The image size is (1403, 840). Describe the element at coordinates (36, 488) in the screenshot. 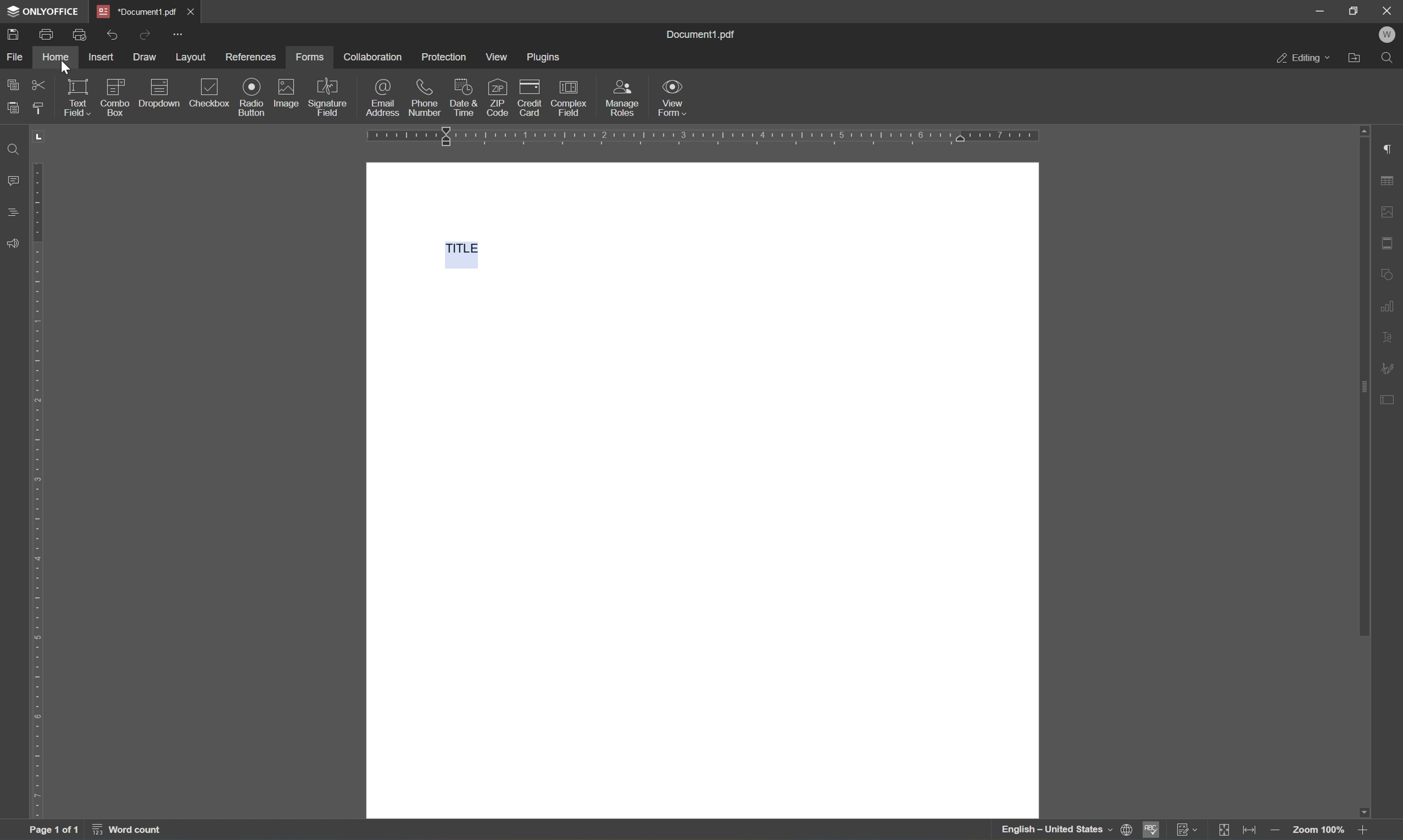

I see `ruler` at that location.